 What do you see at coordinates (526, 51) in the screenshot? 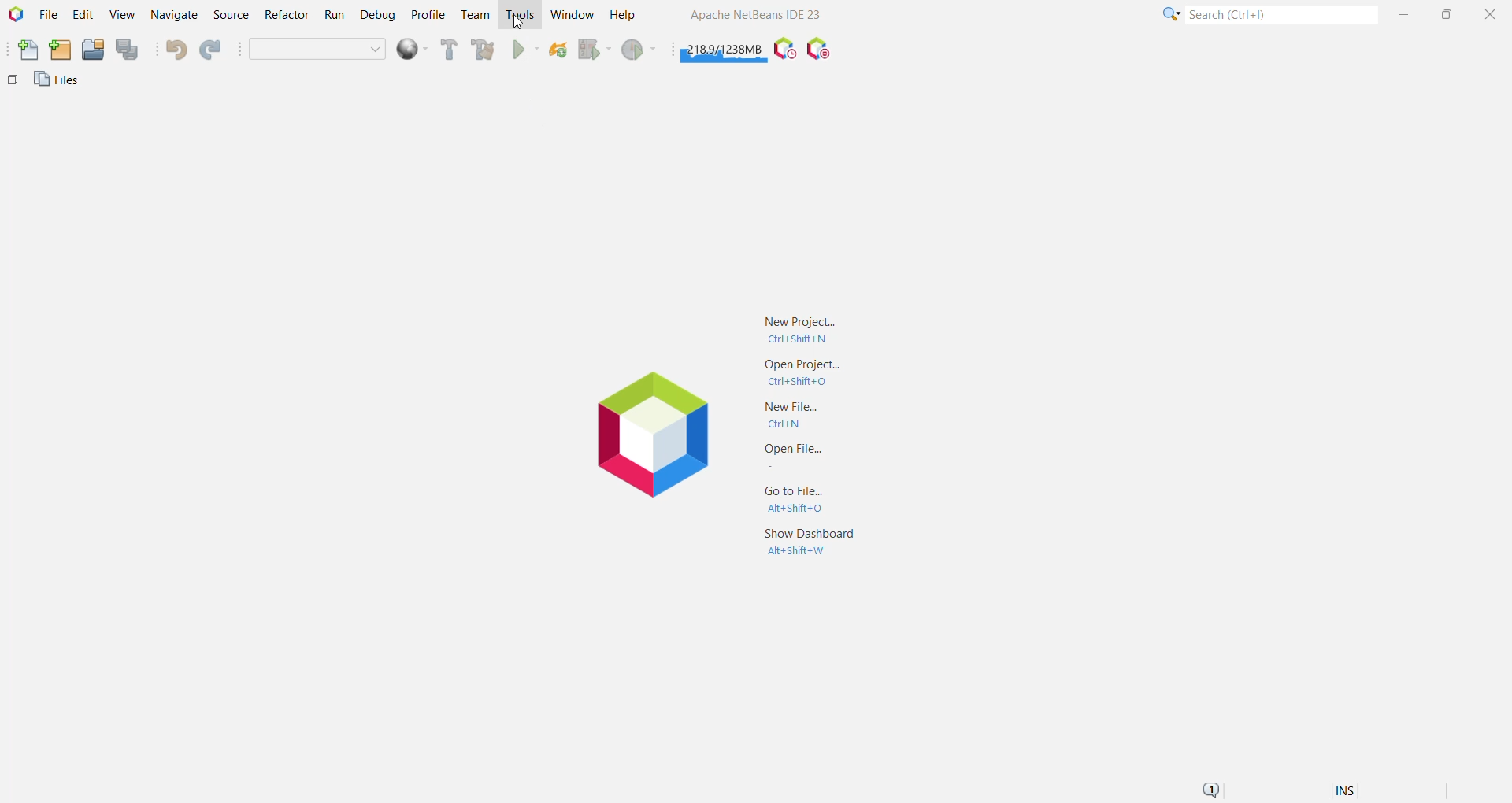
I see `Run` at bounding box center [526, 51].